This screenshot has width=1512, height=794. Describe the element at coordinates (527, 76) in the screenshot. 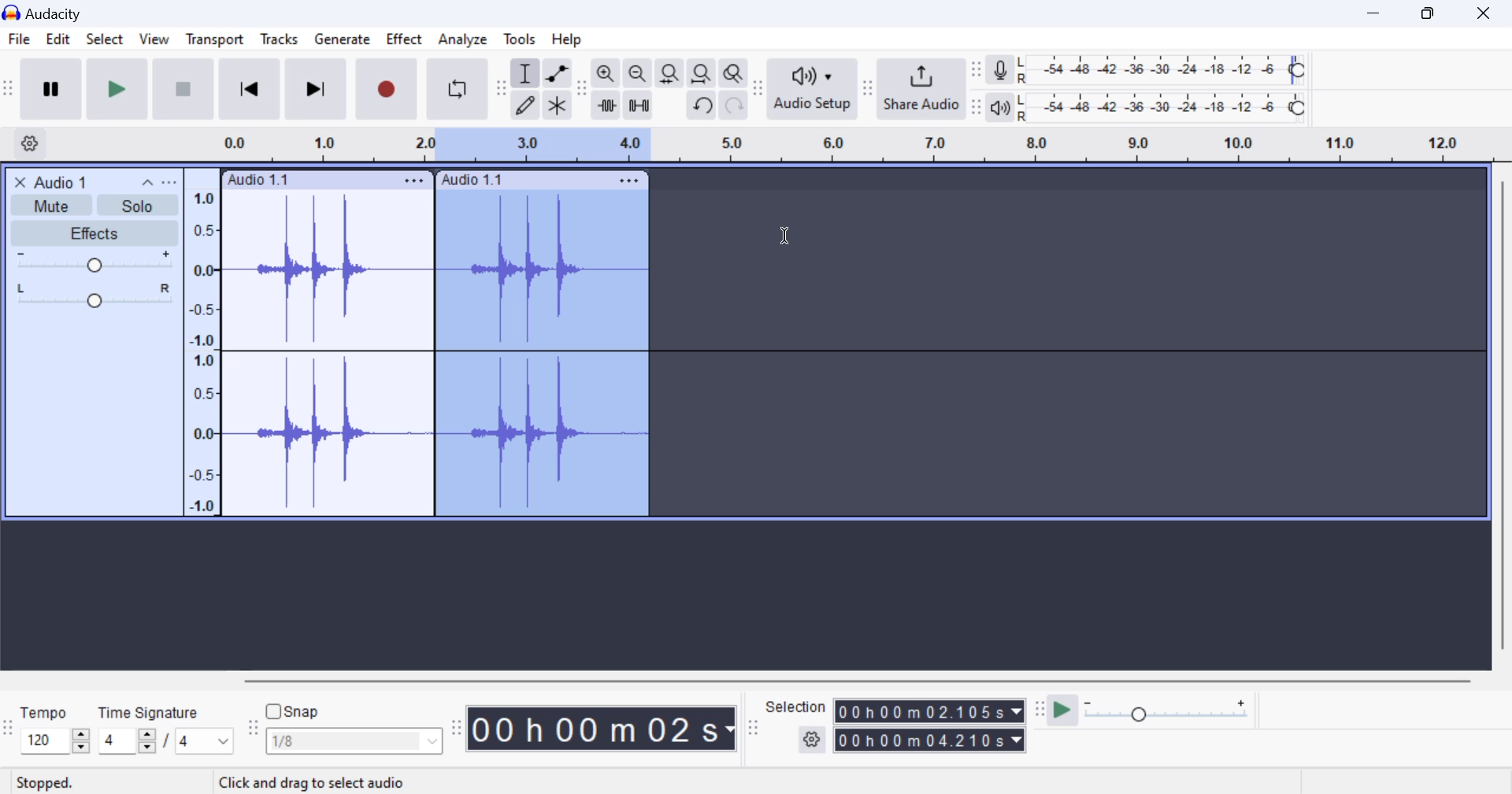

I see `selection tool` at that location.